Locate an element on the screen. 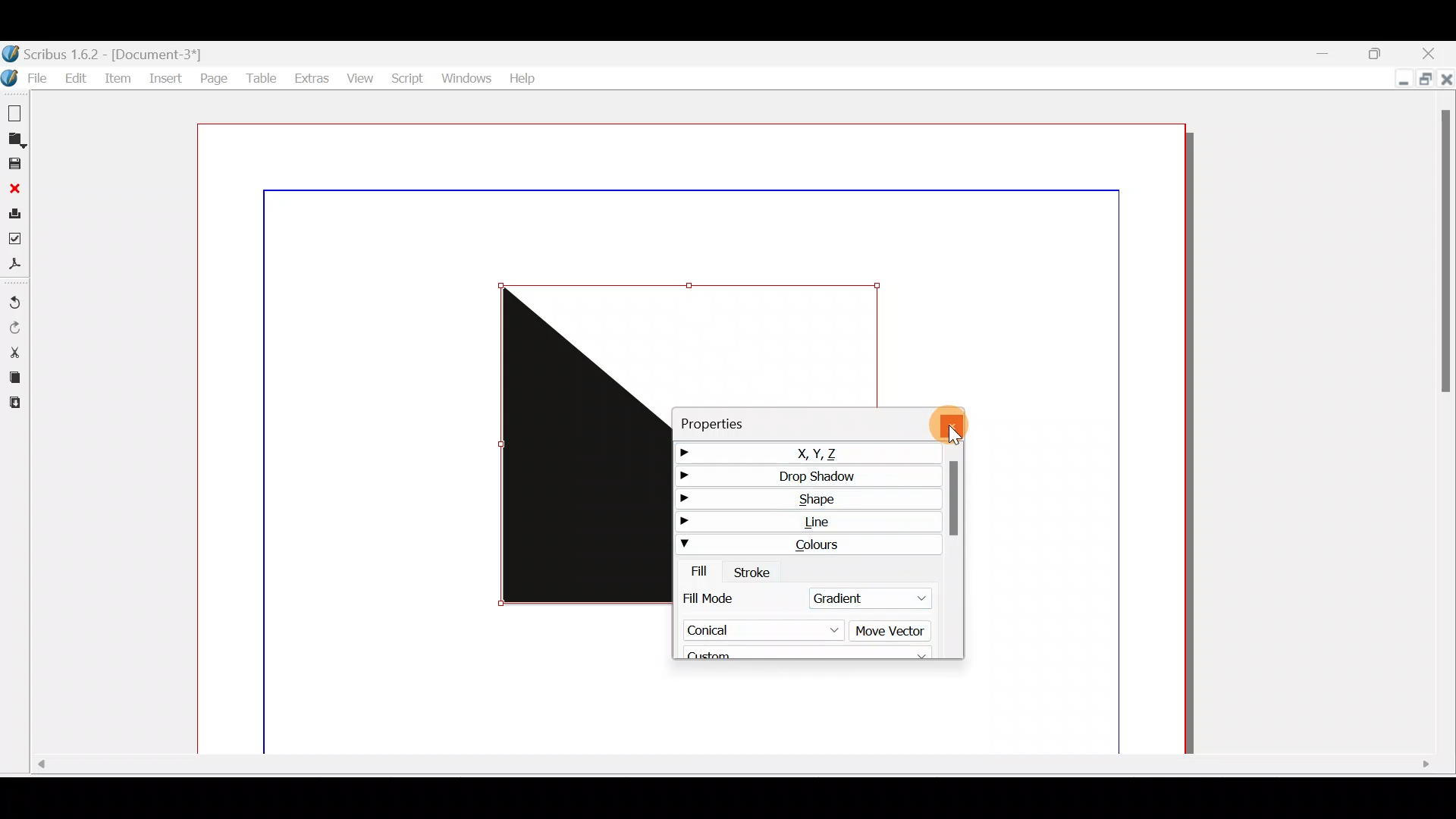  Page is located at coordinates (213, 79).